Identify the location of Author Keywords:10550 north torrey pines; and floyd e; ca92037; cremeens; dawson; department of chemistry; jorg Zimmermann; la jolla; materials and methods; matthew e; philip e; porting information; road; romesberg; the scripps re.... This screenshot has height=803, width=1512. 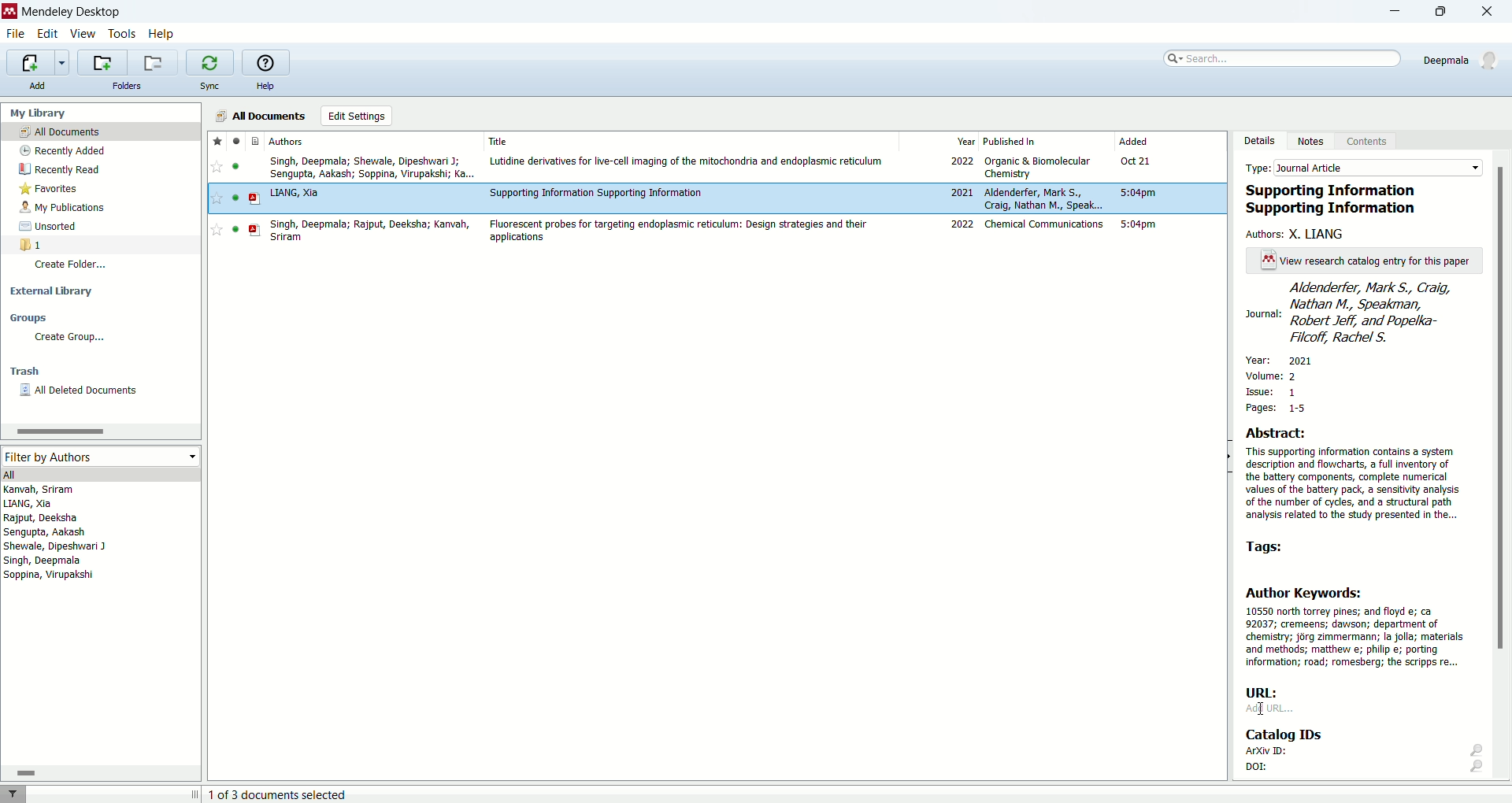
(1355, 627).